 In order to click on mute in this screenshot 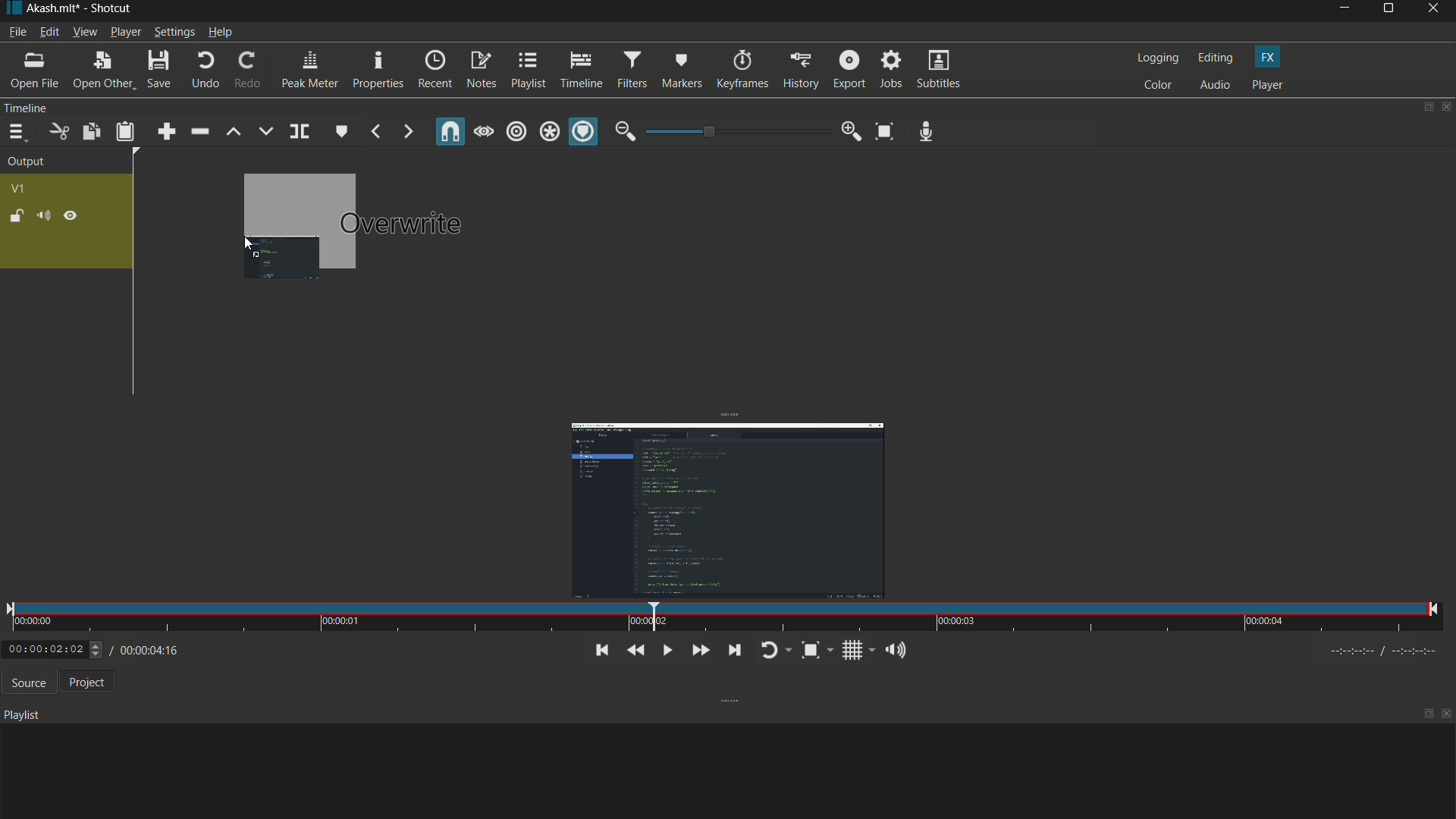, I will do `click(42, 215)`.